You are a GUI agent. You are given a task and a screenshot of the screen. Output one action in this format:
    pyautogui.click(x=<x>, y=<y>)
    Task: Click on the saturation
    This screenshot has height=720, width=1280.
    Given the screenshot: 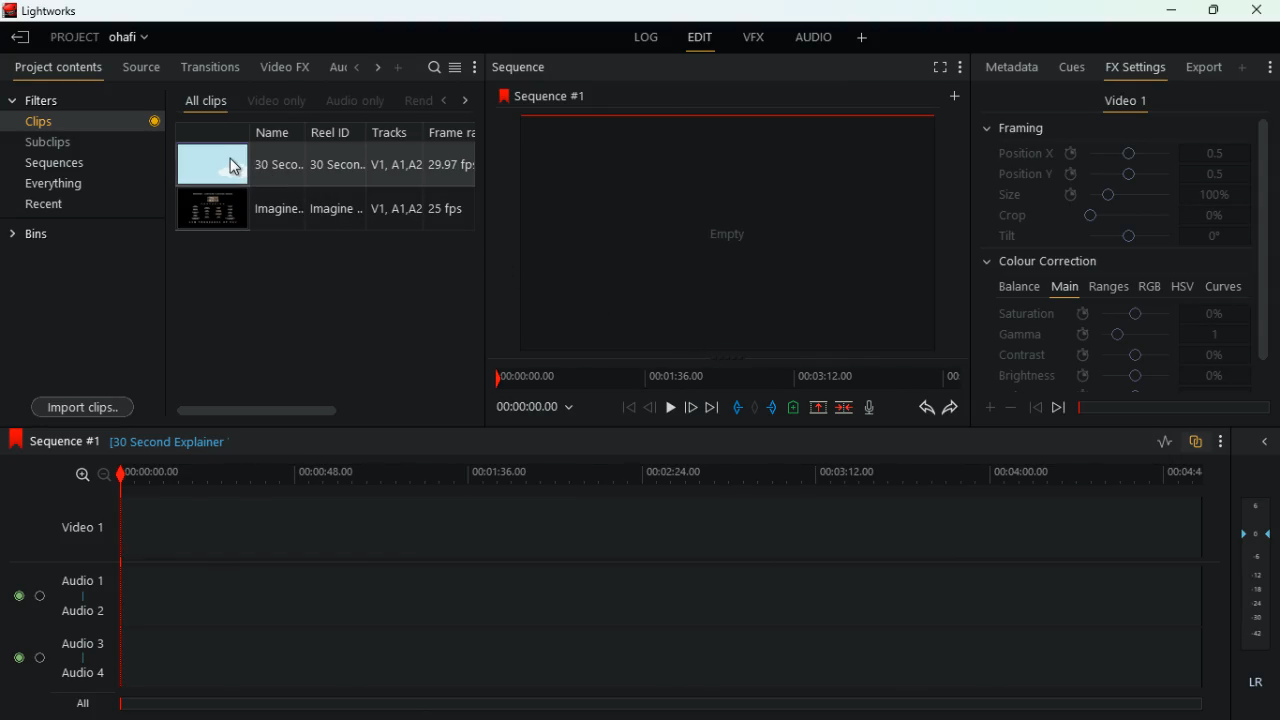 What is the action you would take?
    pyautogui.click(x=1116, y=313)
    